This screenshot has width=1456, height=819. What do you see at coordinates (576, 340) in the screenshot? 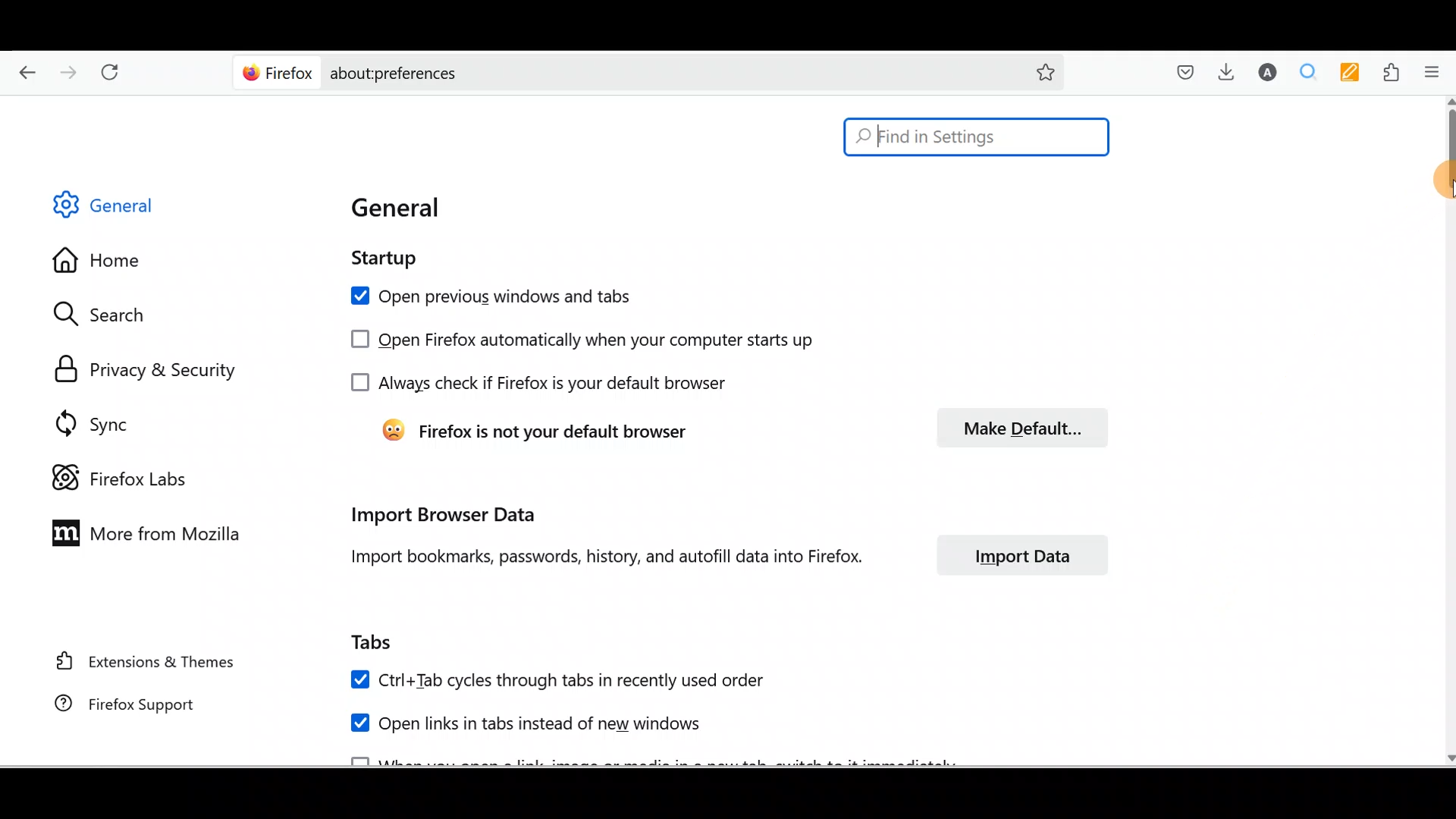
I see `Open Firefox automatically when your computer starts up` at bounding box center [576, 340].